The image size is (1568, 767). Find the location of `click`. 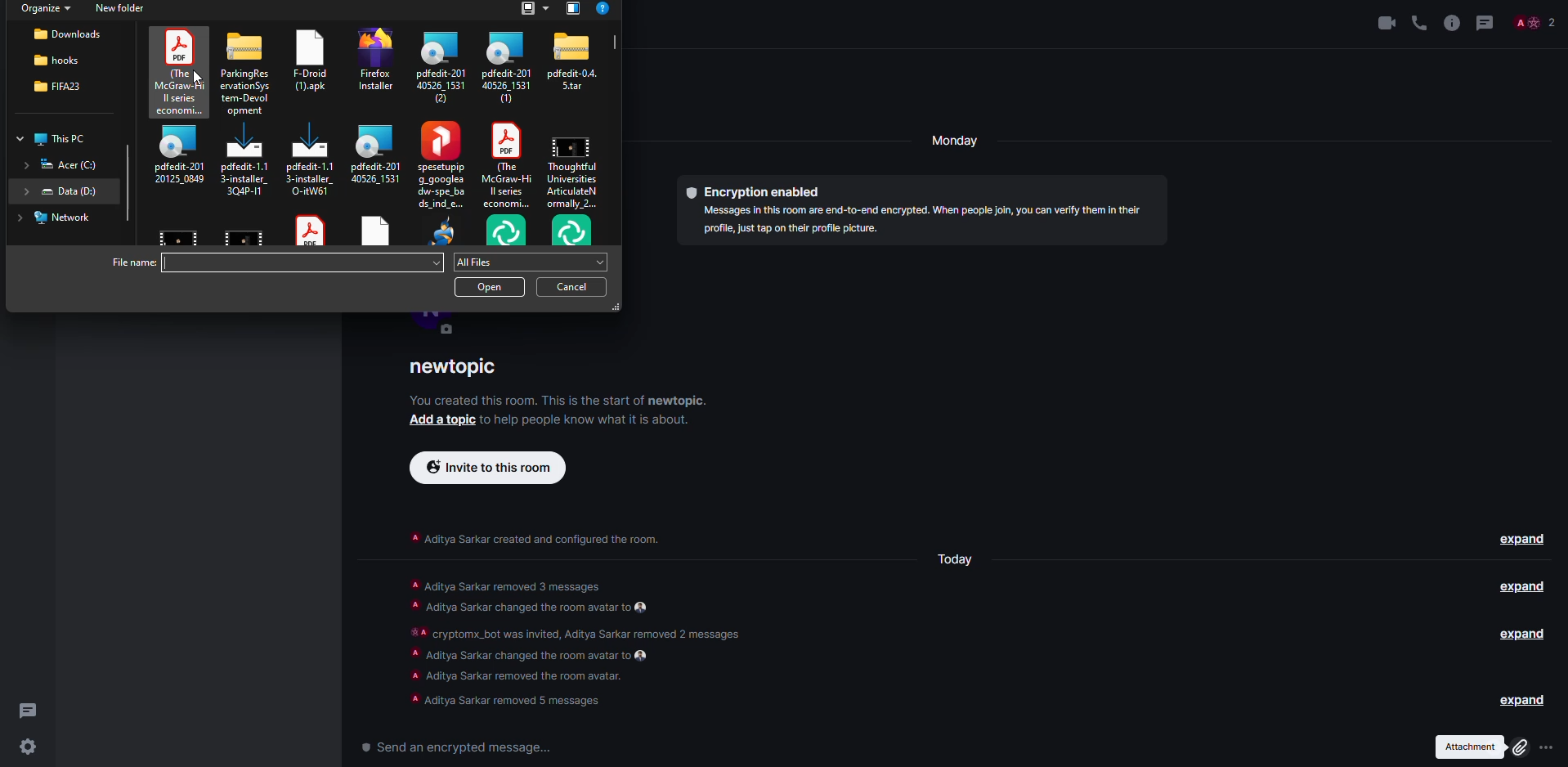

click is located at coordinates (1520, 747).